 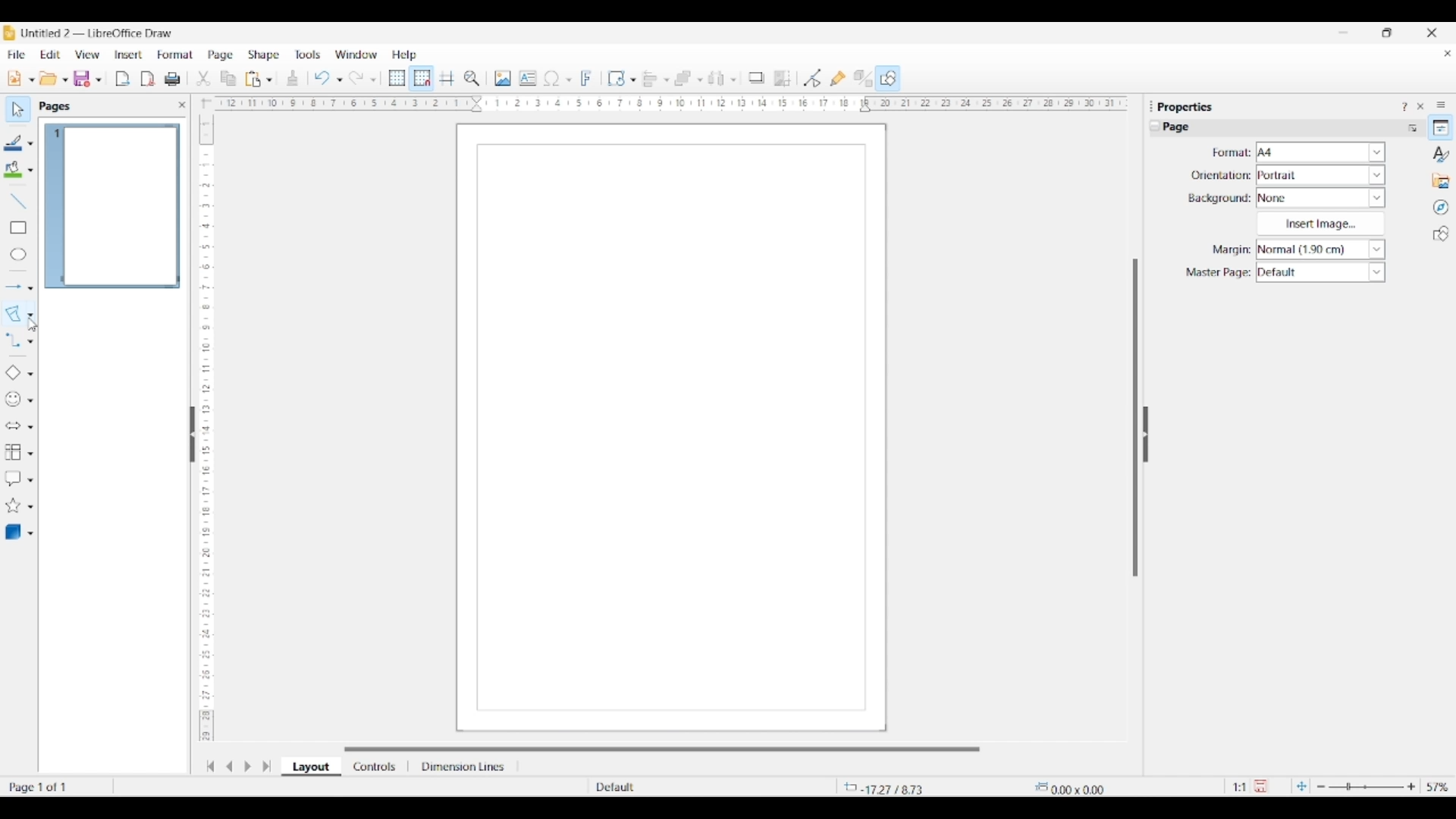 I want to click on Collapse page settings, so click(x=1155, y=126).